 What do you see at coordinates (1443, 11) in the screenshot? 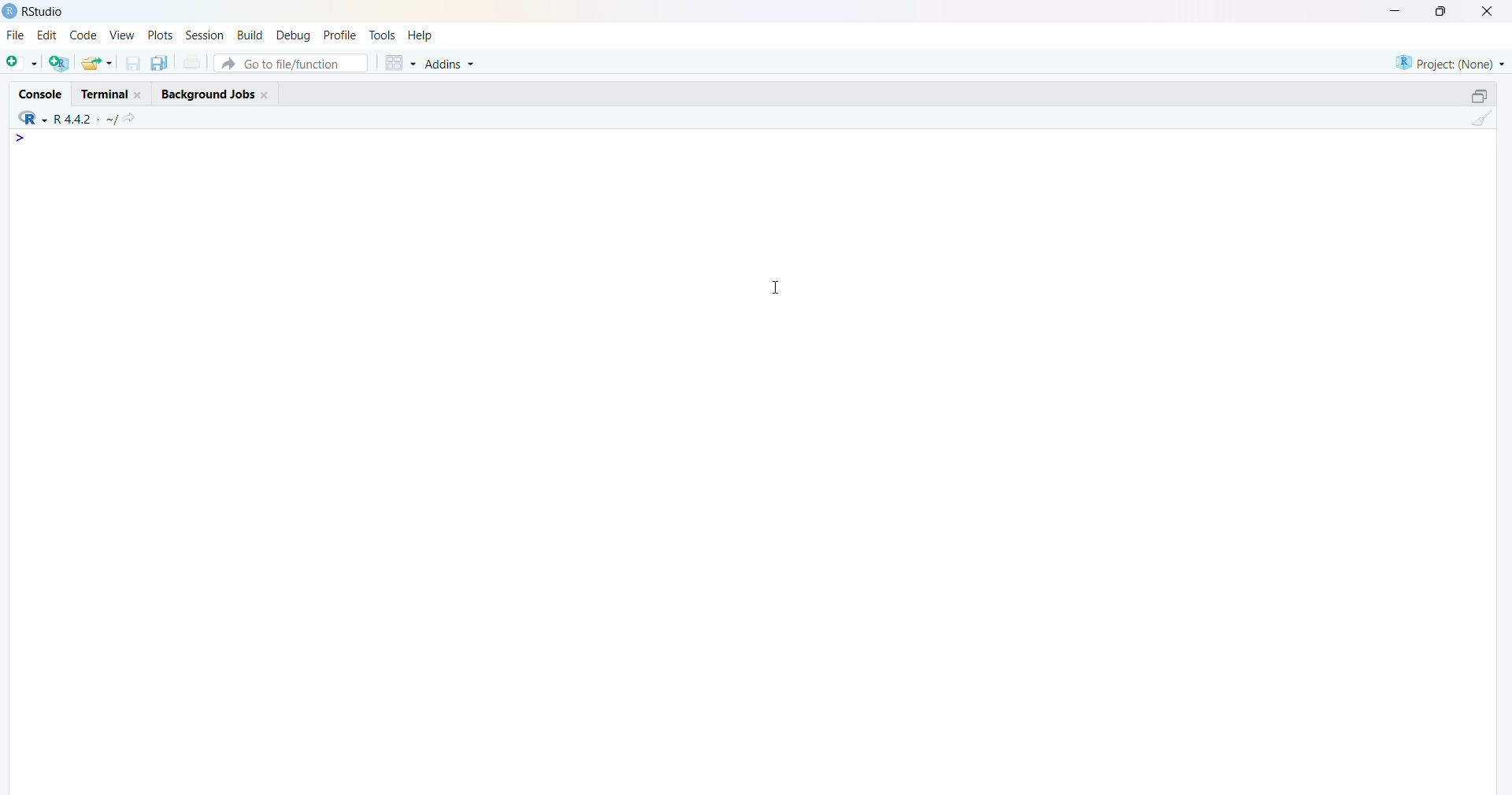
I see `maximise` at bounding box center [1443, 11].